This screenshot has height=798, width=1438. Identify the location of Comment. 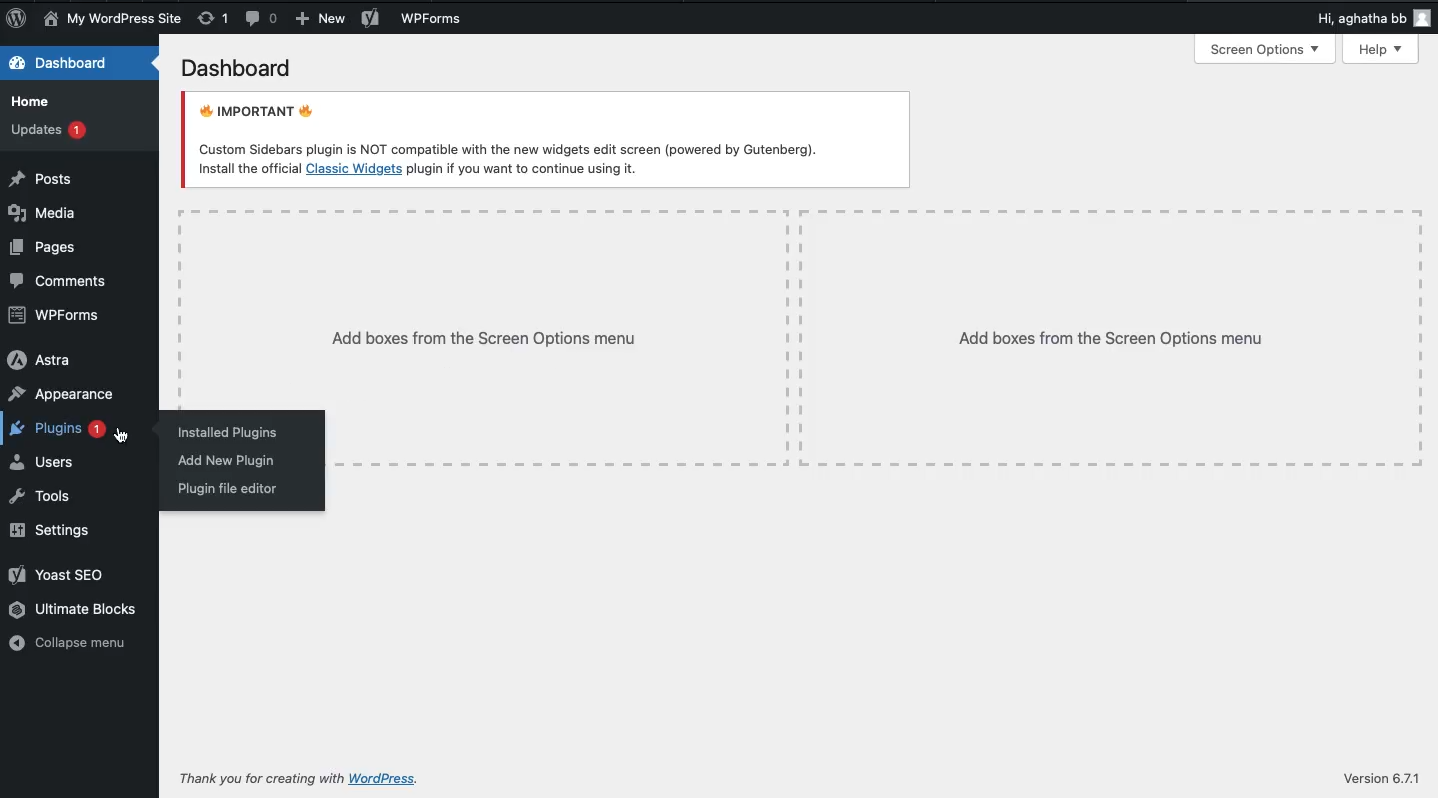
(64, 282).